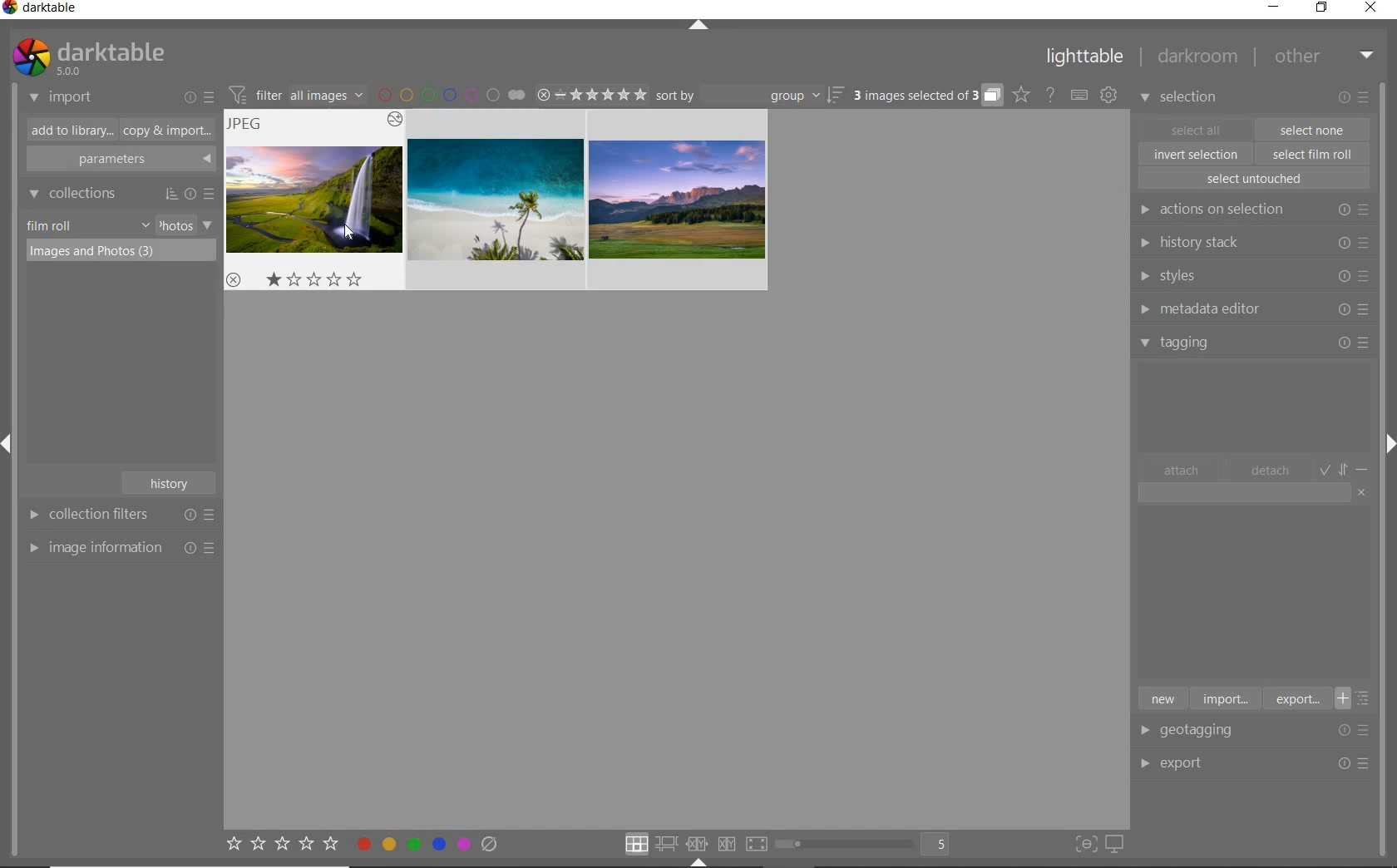  I want to click on collection filters, so click(119, 514).